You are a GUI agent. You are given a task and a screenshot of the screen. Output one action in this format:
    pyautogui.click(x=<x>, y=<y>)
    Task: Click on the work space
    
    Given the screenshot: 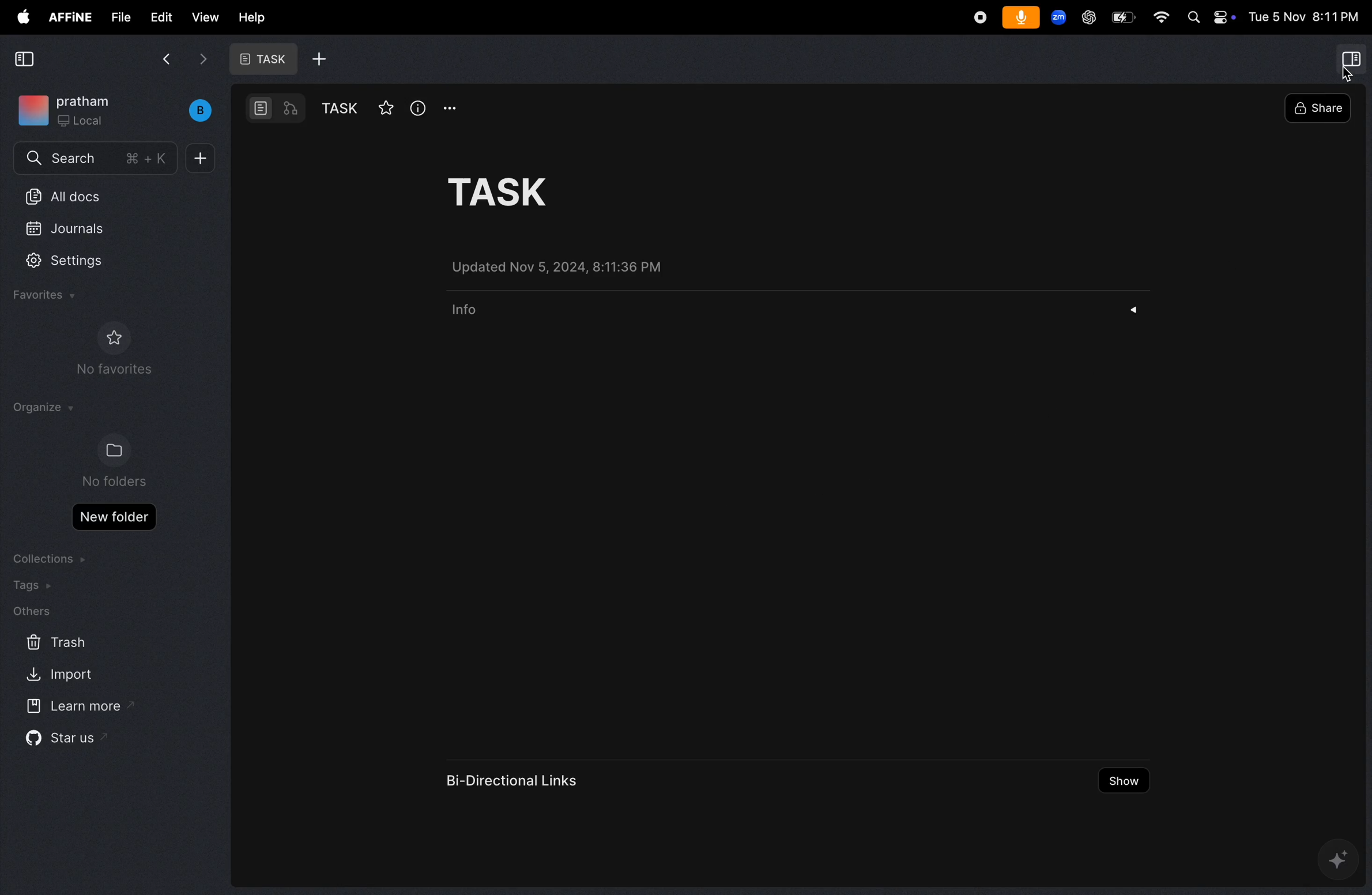 What is the action you would take?
    pyautogui.click(x=117, y=110)
    